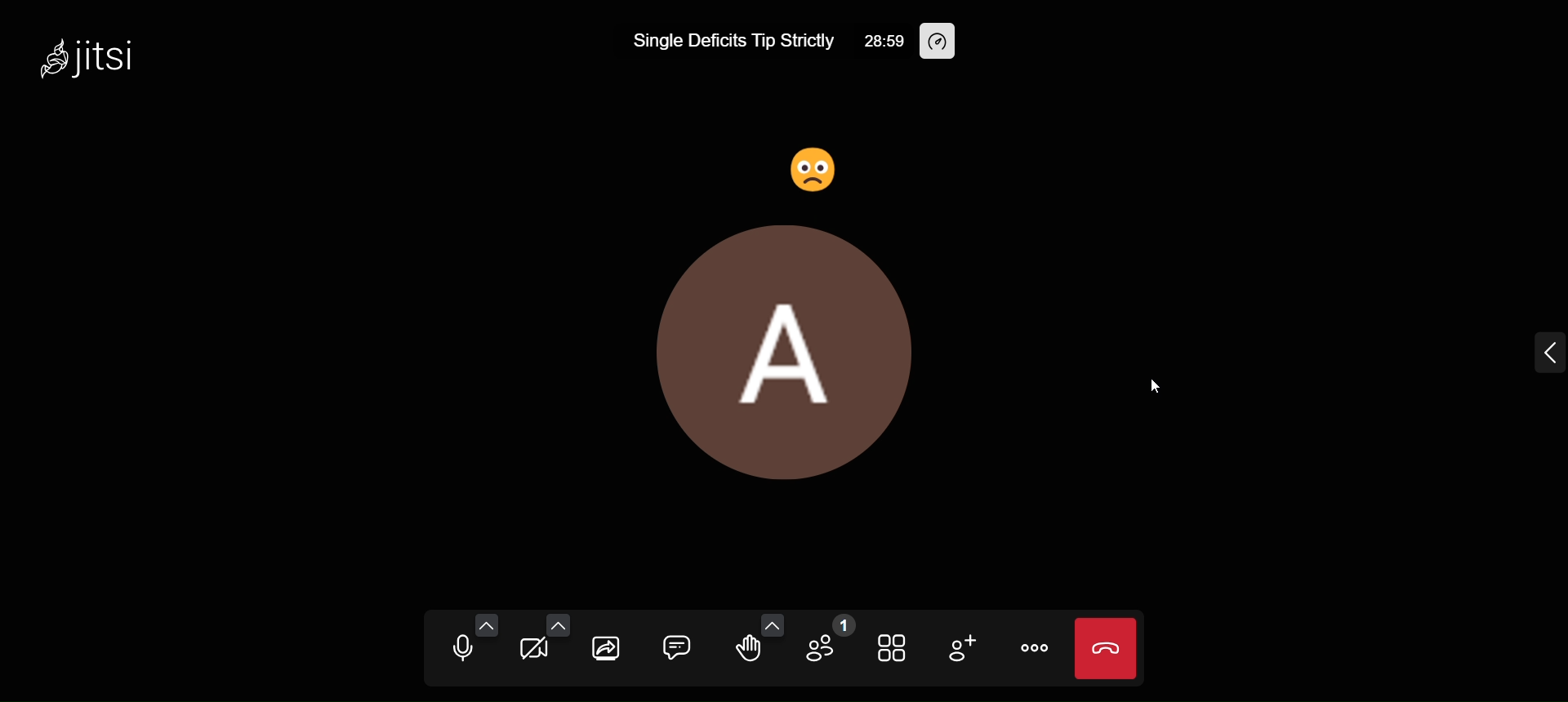  What do you see at coordinates (768, 624) in the screenshot?
I see `send more emojis` at bounding box center [768, 624].